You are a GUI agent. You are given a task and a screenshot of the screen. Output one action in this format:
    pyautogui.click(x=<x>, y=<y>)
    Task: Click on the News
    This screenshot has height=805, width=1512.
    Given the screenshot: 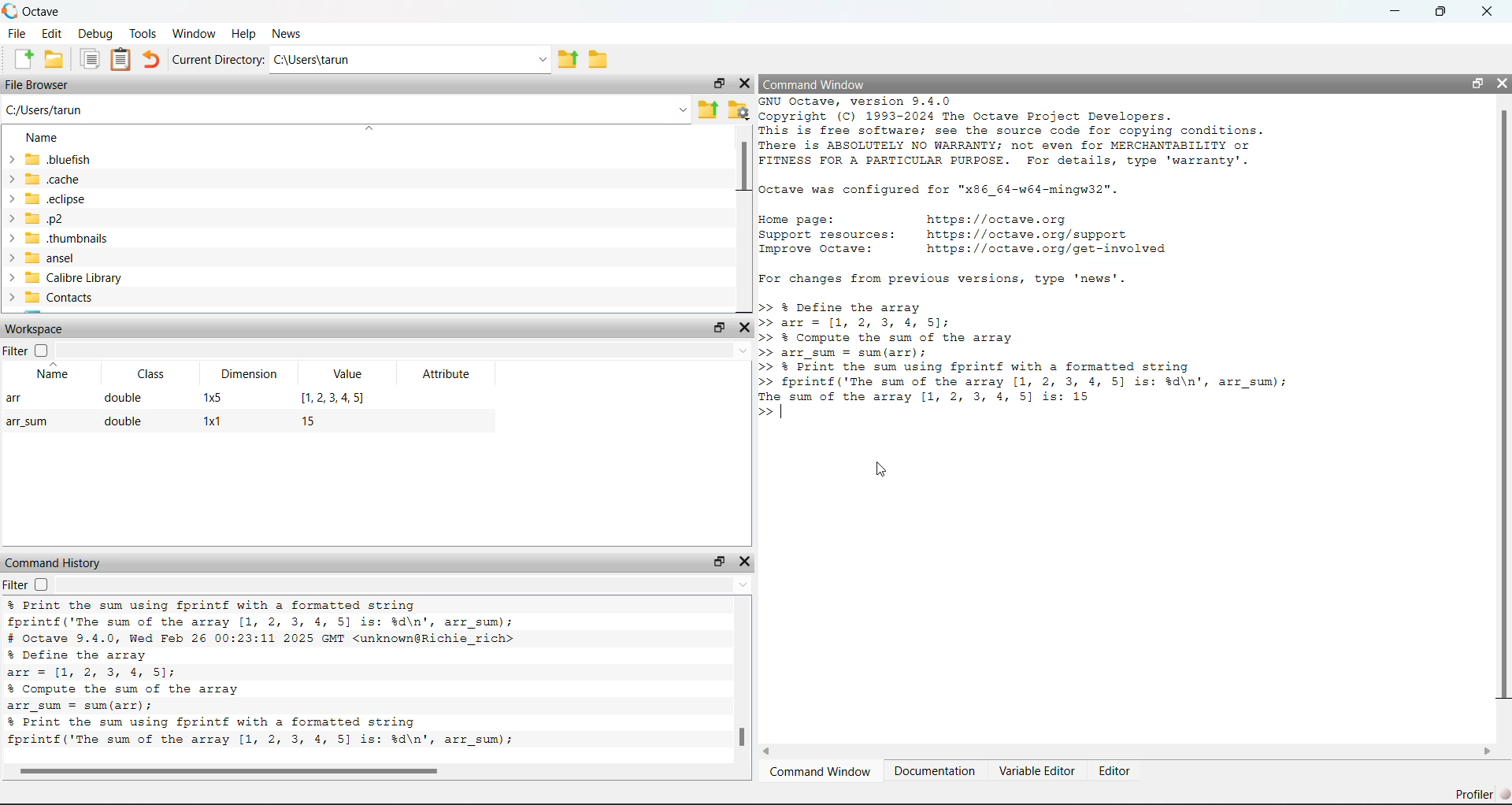 What is the action you would take?
    pyautogui.click(x=287, y=32)
    